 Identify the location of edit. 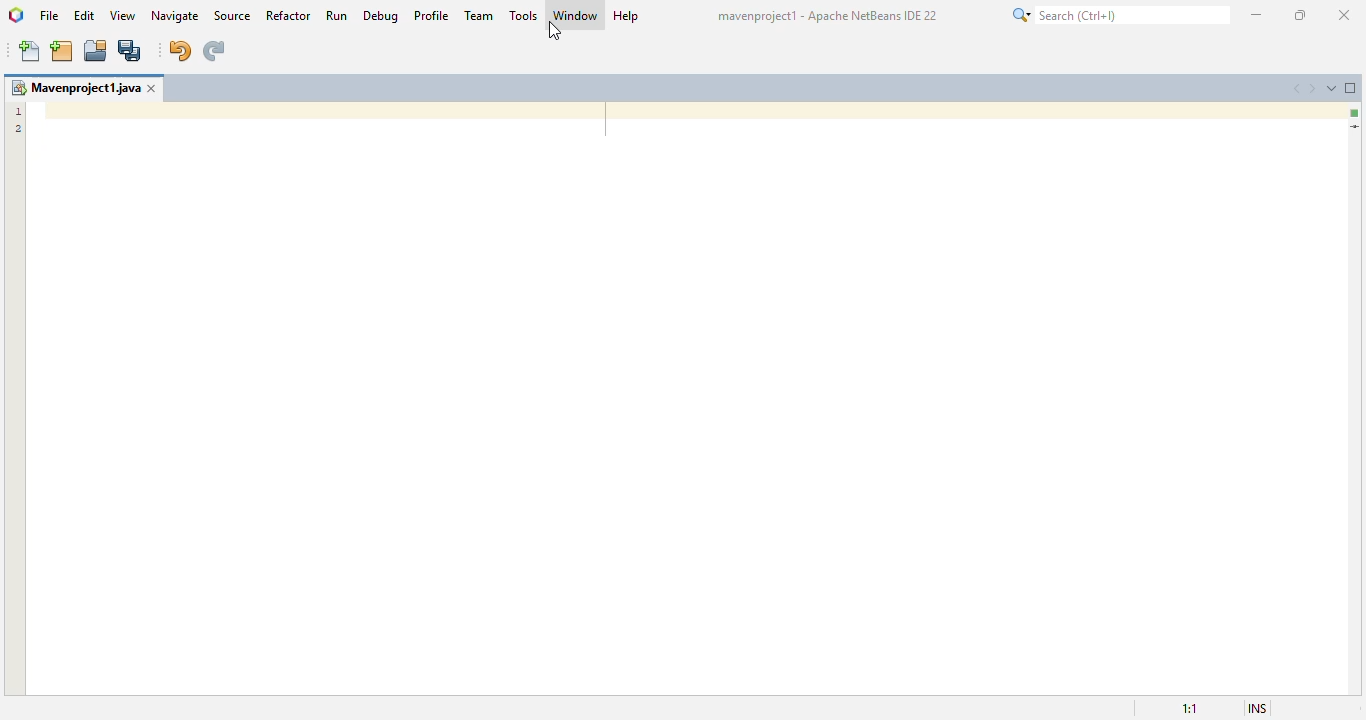
(85, 14).